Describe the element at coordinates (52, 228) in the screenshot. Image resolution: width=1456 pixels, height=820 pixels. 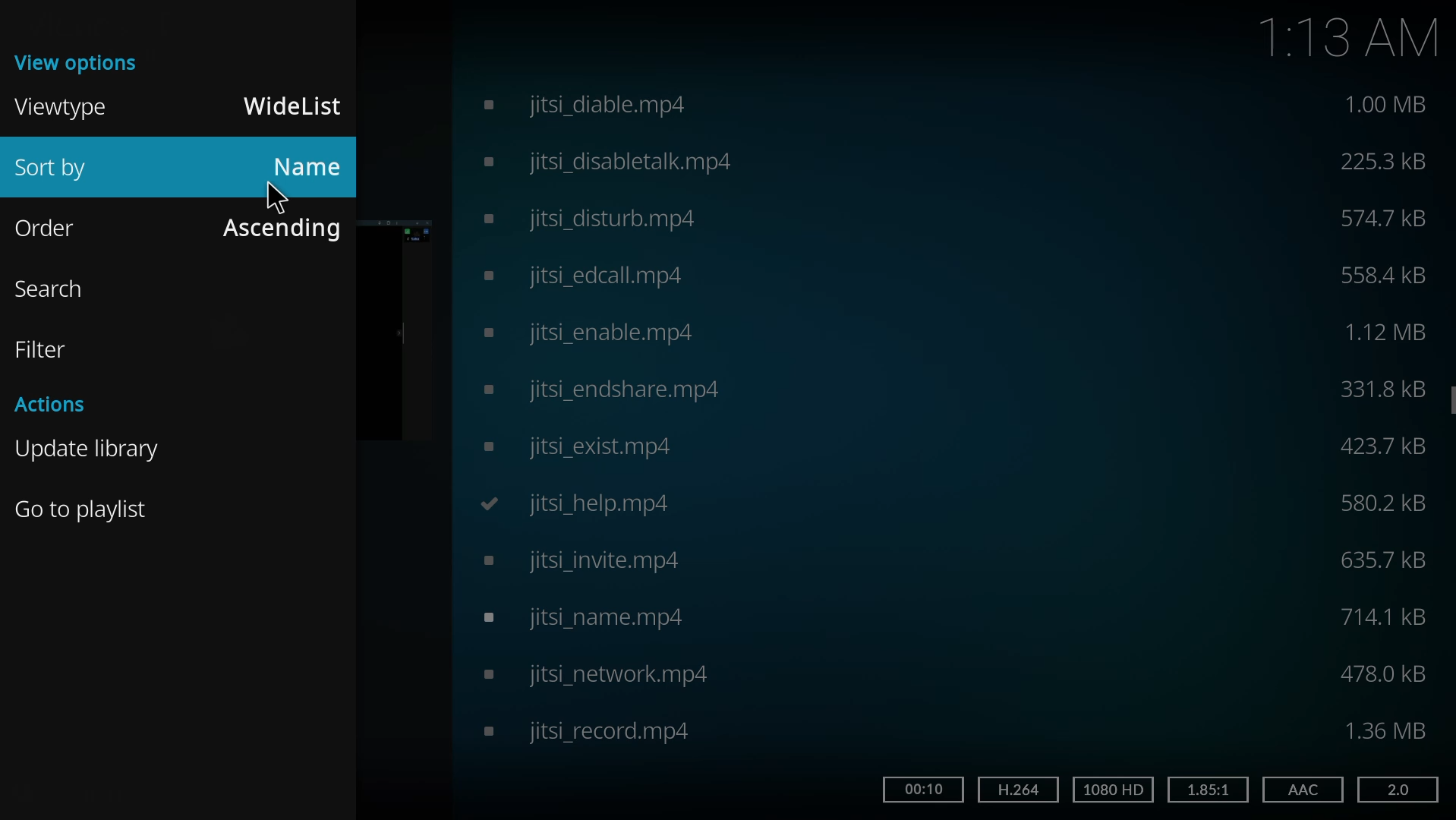
I see `order` at that location.